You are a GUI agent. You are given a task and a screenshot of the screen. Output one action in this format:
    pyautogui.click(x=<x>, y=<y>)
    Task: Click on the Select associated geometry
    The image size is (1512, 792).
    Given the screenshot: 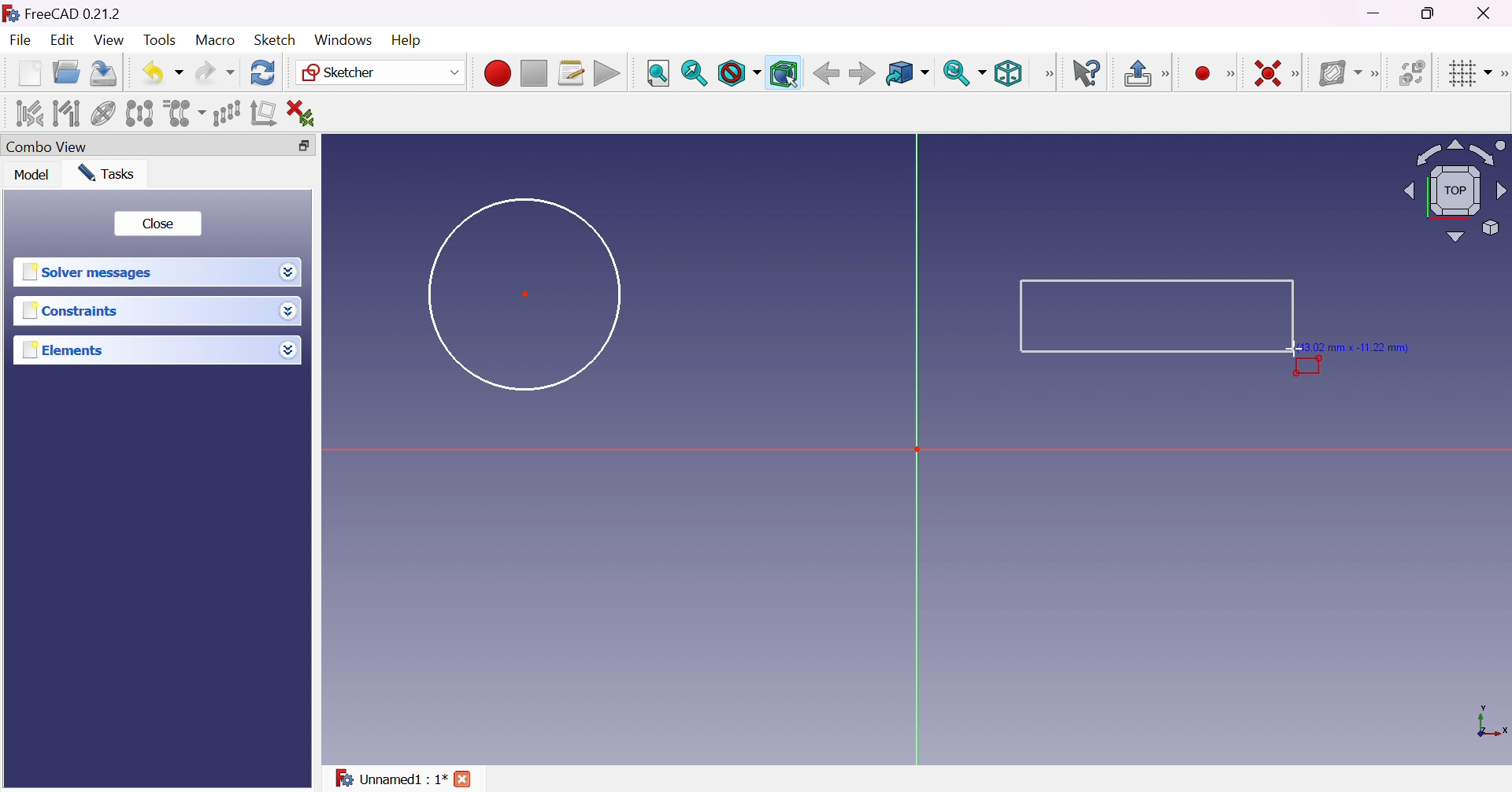 What is the action you would take?
    pyautogui.click(x=67, y=112)
    